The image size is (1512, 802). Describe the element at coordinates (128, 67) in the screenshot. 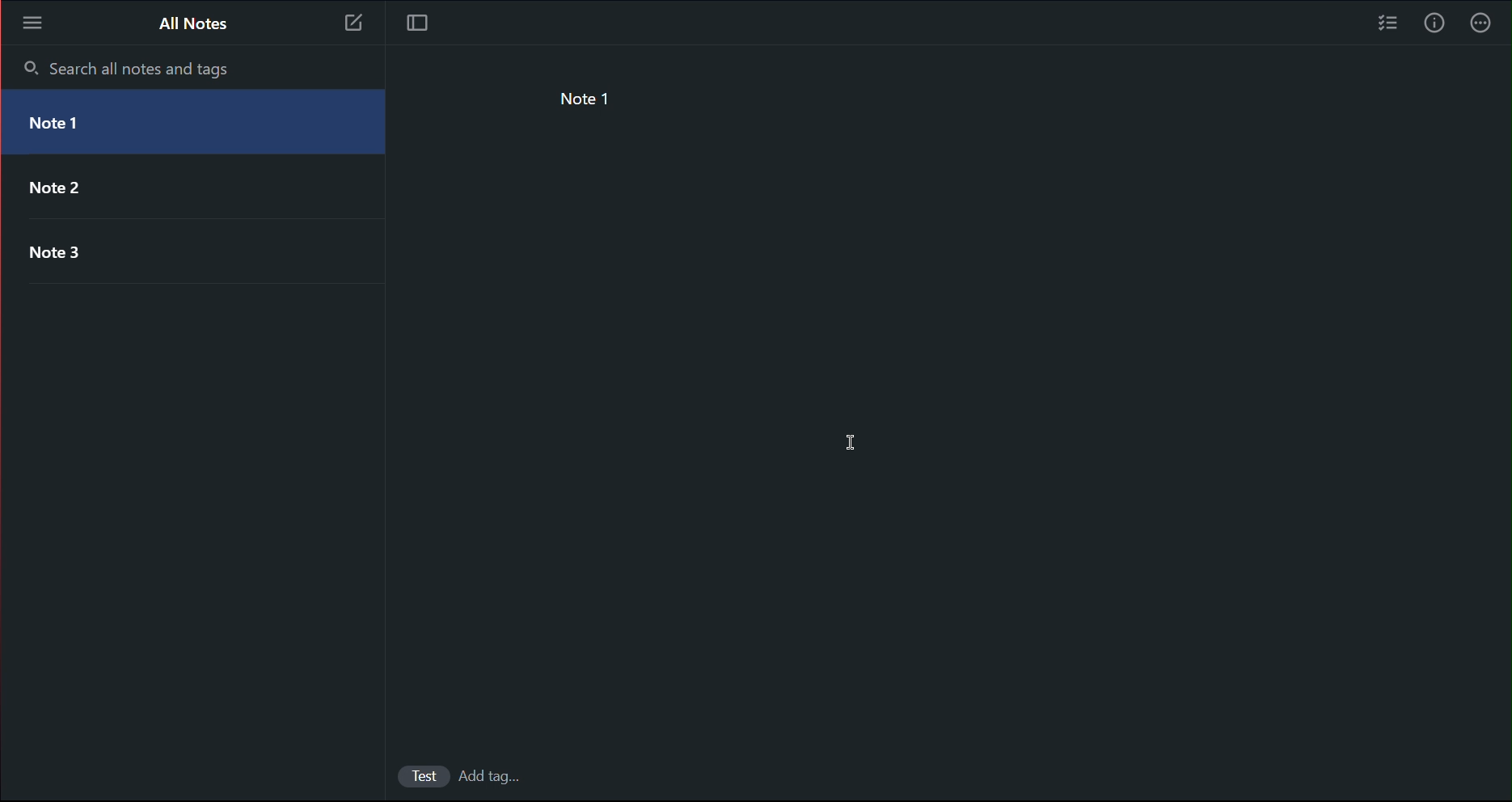

I see `Search all notes and tags` at that location.